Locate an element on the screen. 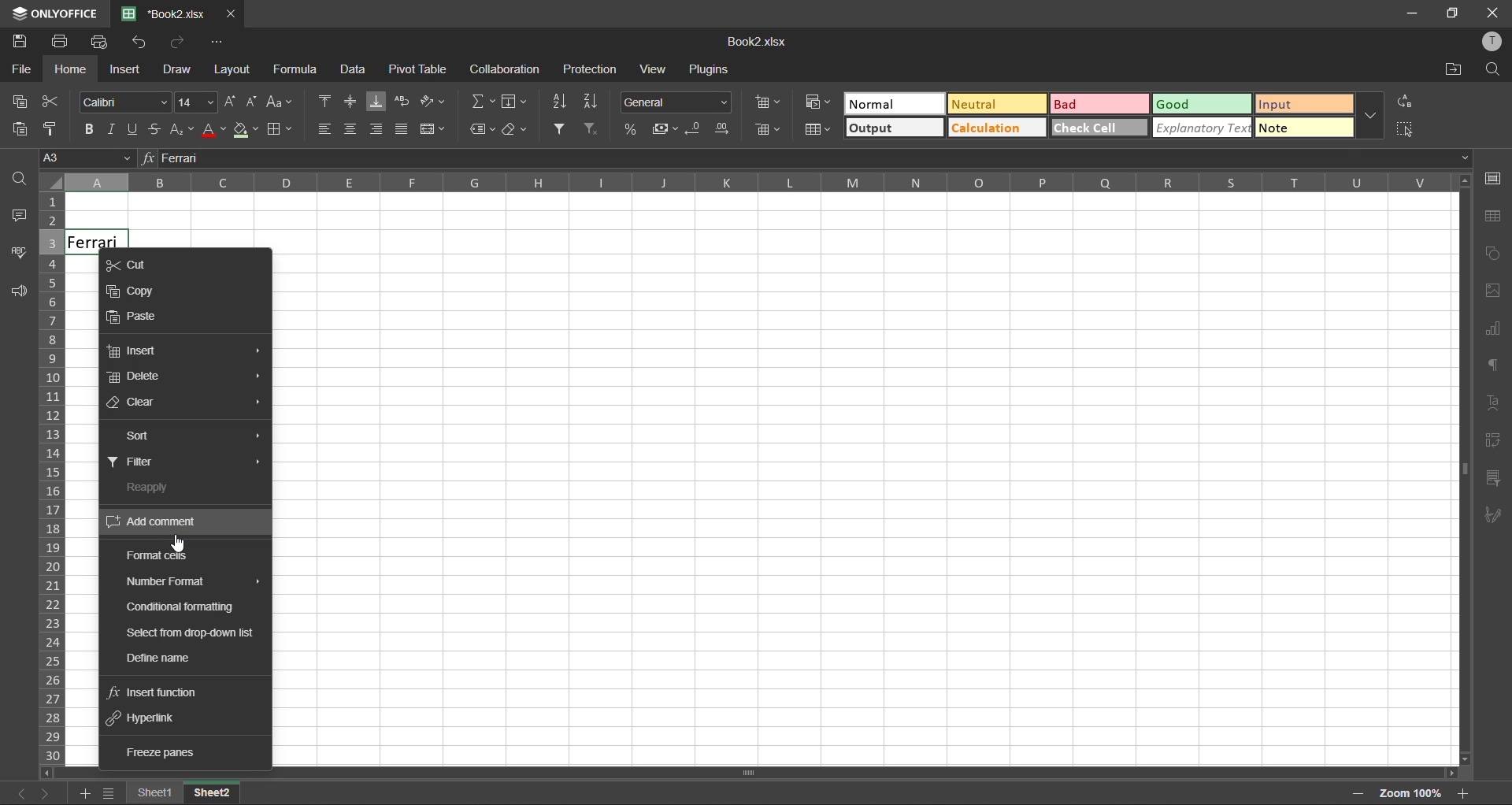  orientation is located at coordinates (430, 101).